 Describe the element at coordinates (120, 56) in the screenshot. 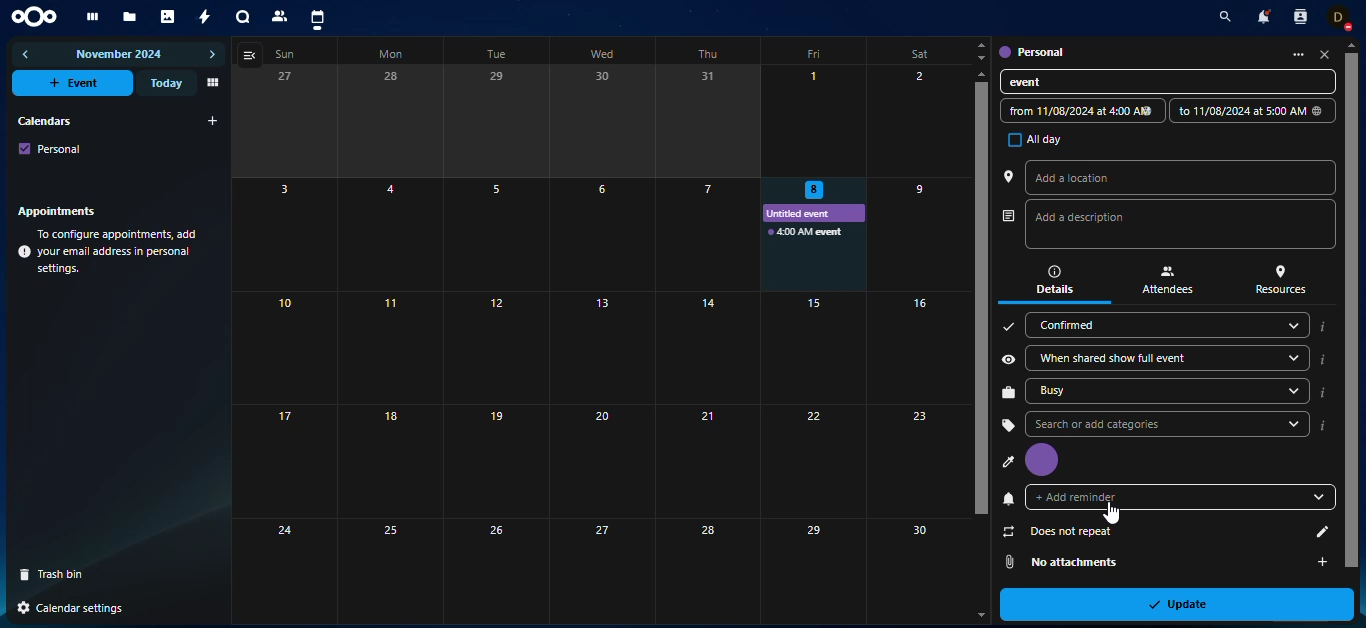

I see `november` at that location.